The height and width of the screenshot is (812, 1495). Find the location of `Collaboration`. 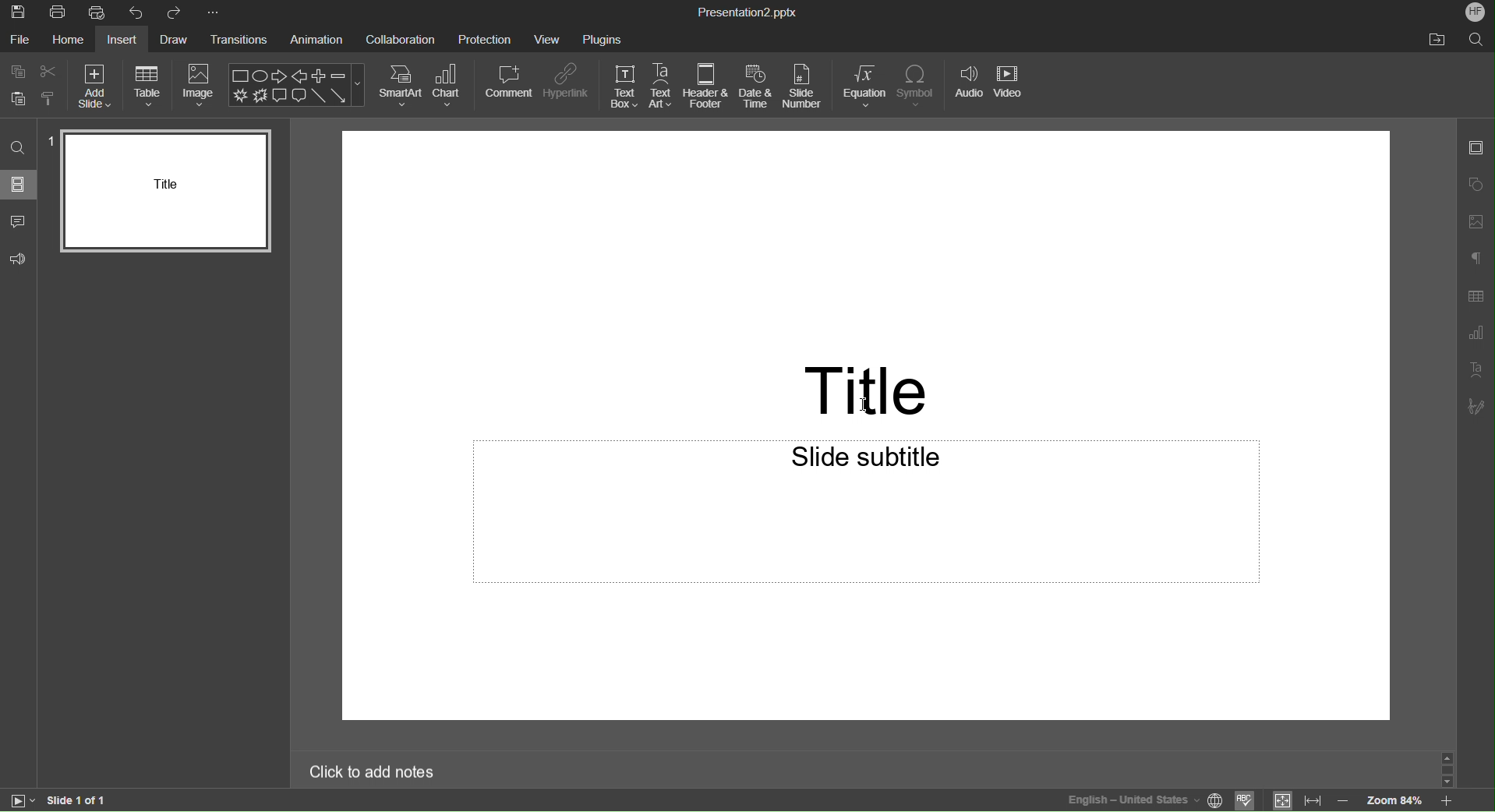

Collaboration is located at coordinates (401, 40).